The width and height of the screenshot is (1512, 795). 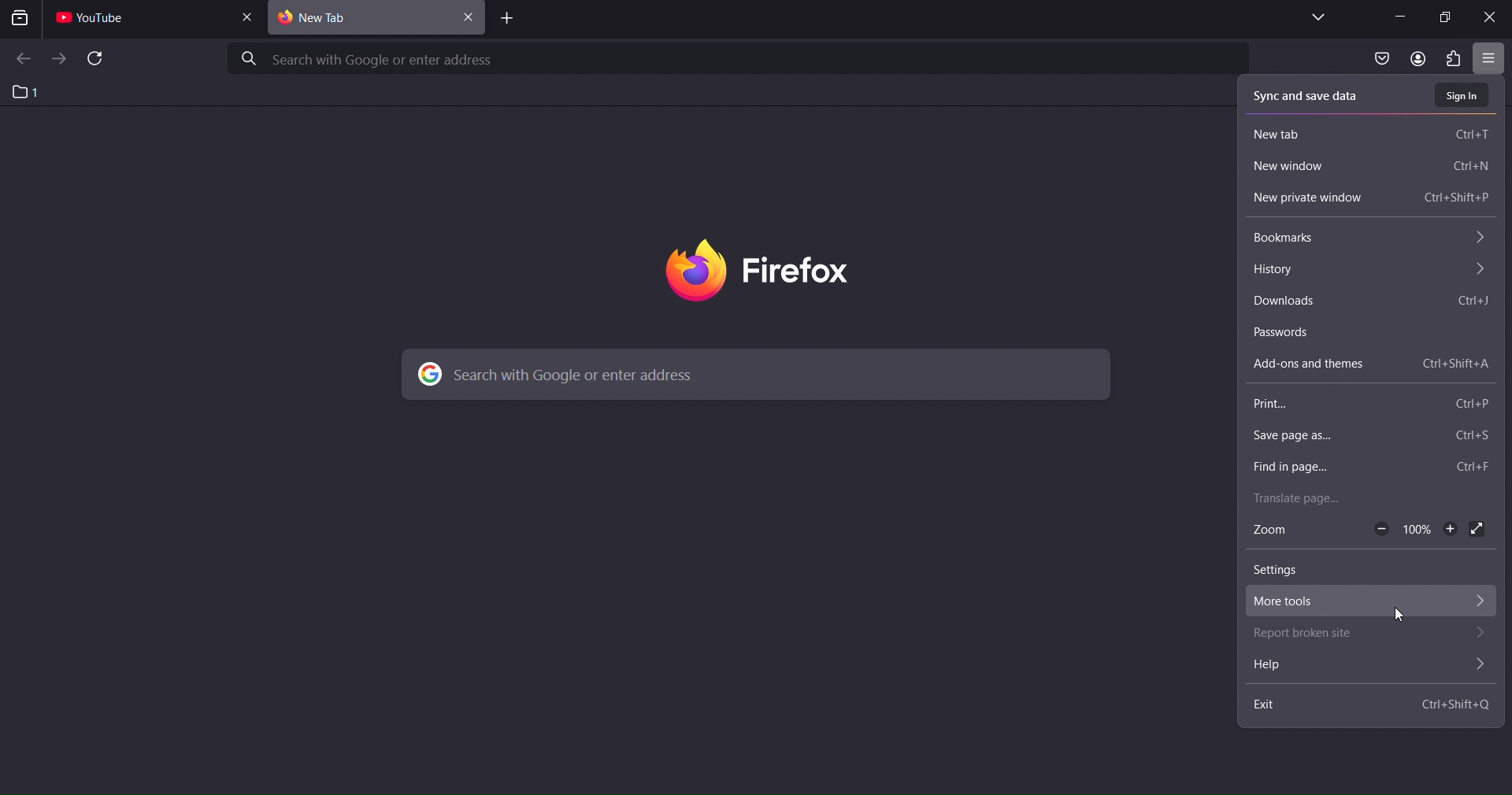 What do you see at coordinates (1297, 333) in the screenshot?
I see `passwords` at bounding box center [1297, 333].